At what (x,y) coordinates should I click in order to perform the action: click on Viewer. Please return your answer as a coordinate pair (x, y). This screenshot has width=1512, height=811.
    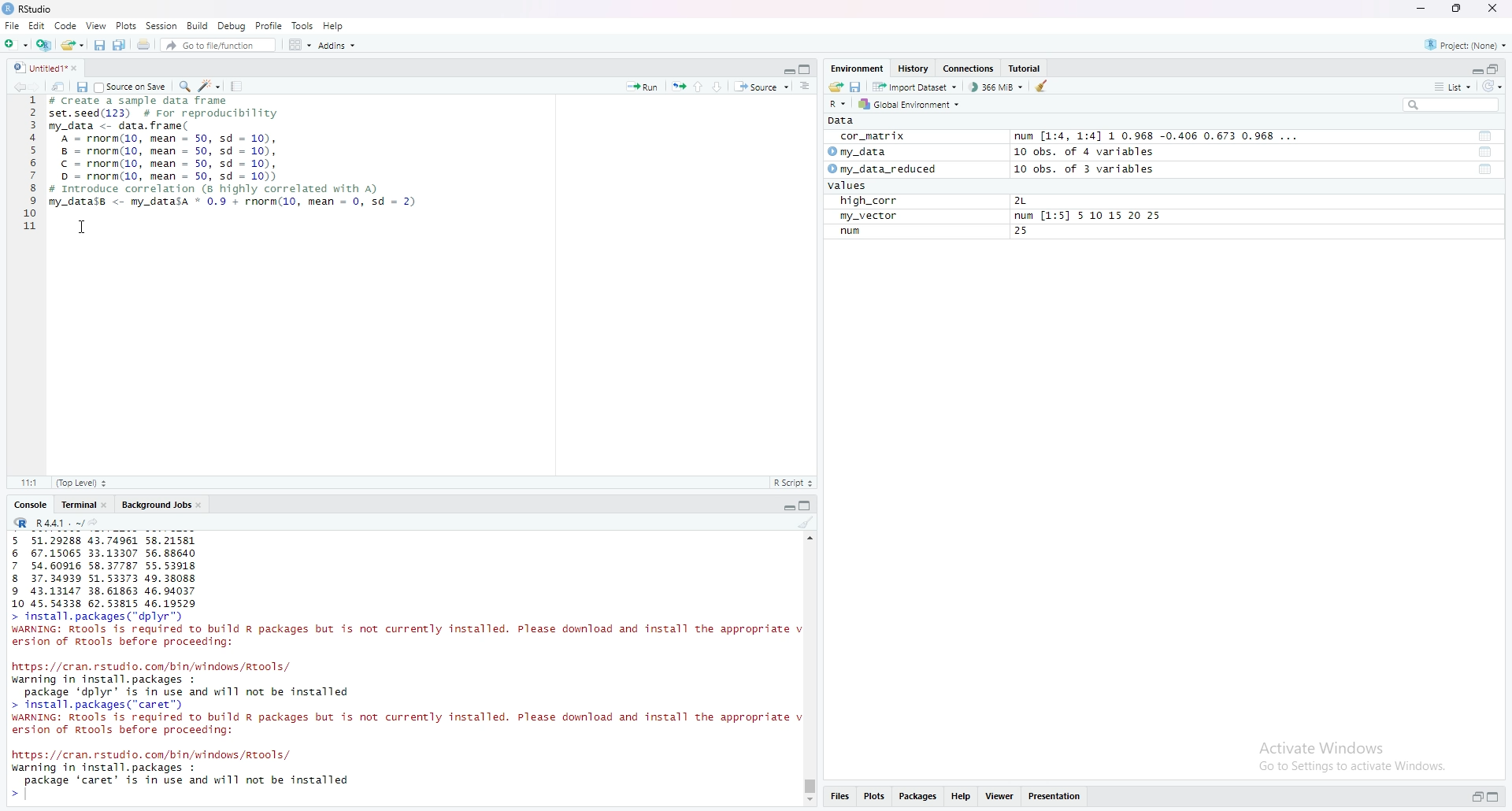
    Looking at the image, I should click on (1001, 795).